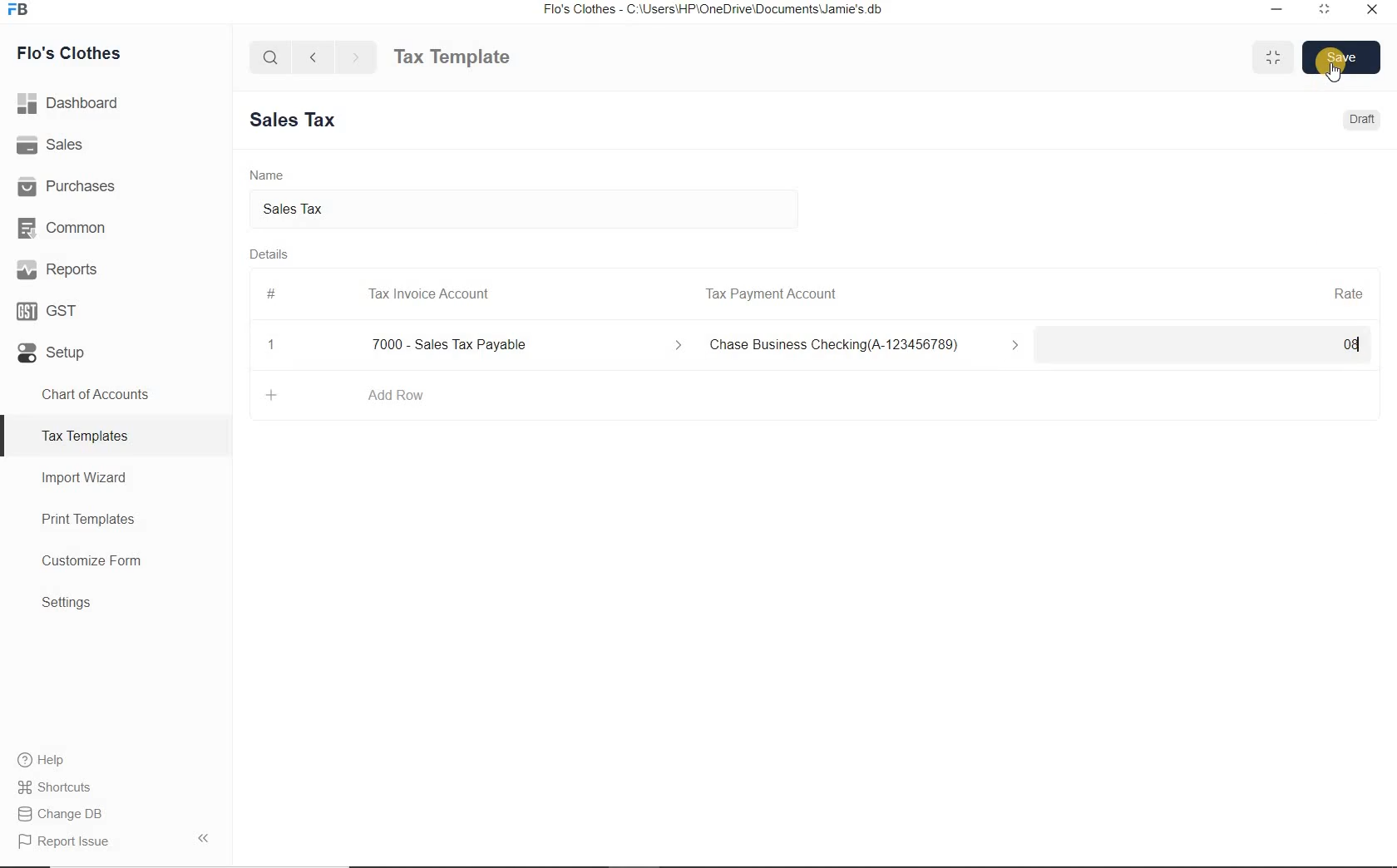 This screenshot has height=868, width=1397. I want to click on Purchases, so click(116, 184).